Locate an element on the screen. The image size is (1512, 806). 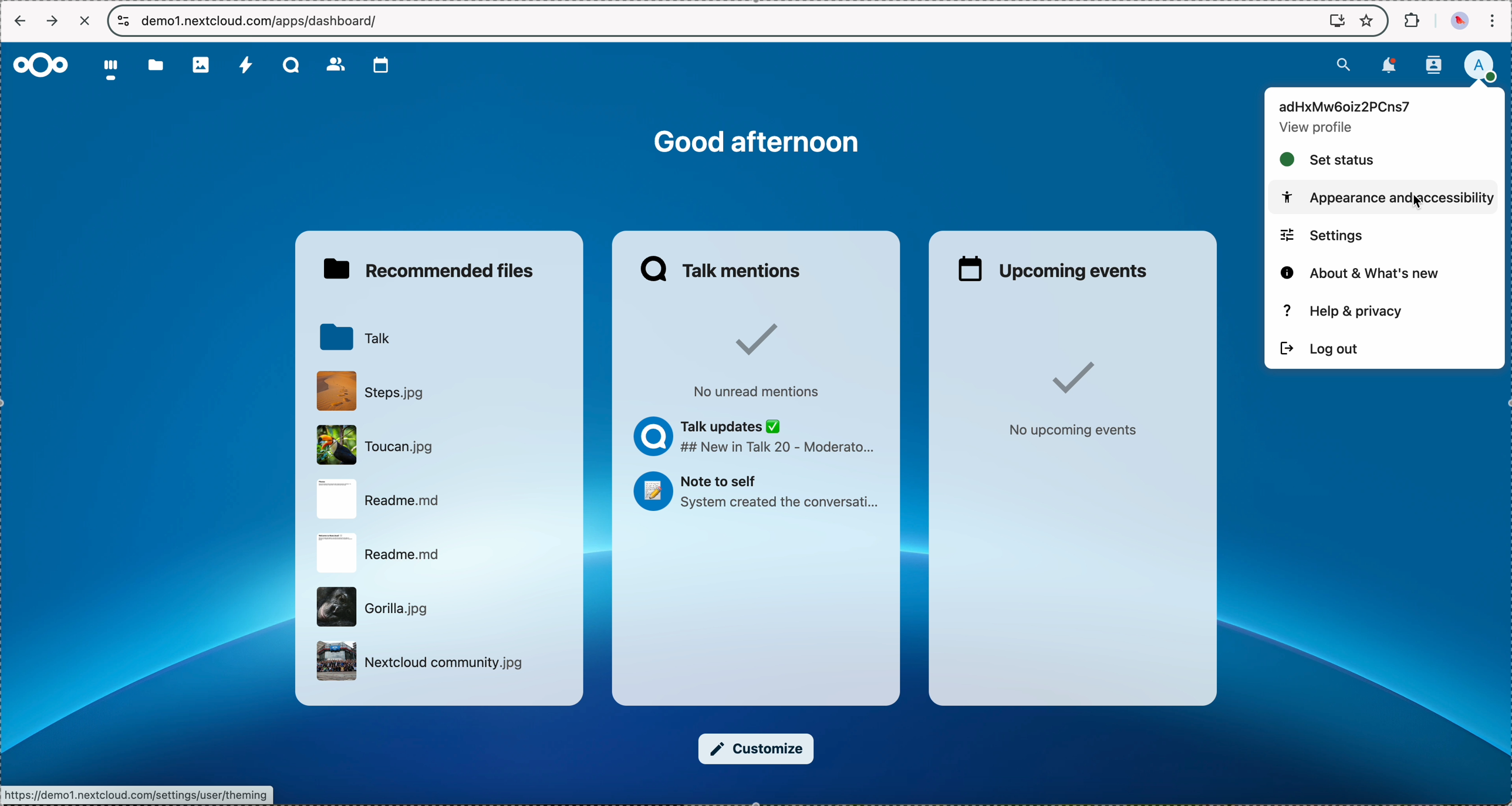
upcoming events is located at coordinates (1055, 268).